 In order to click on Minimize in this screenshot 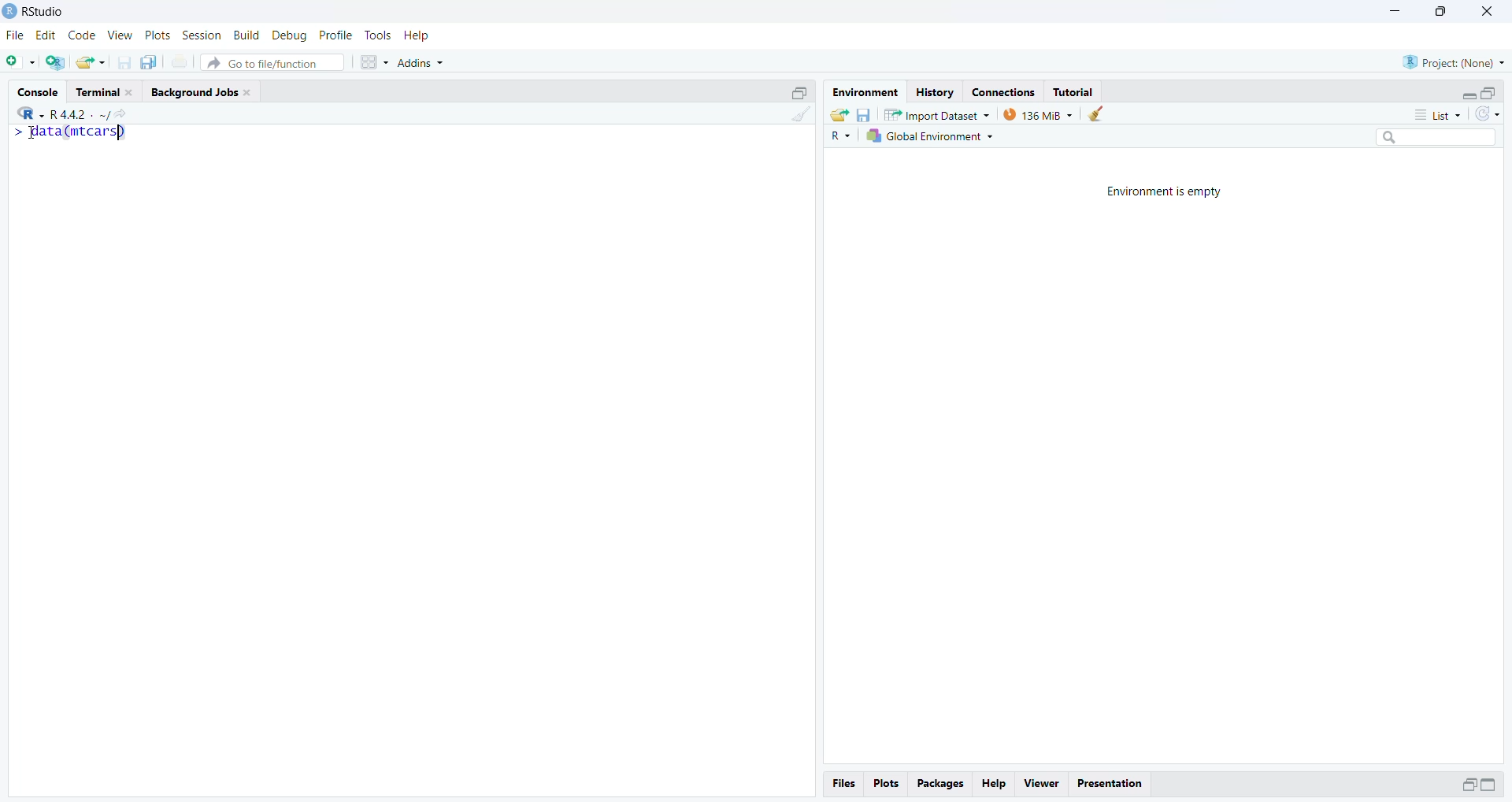, I will do `click(1395, 12)`.